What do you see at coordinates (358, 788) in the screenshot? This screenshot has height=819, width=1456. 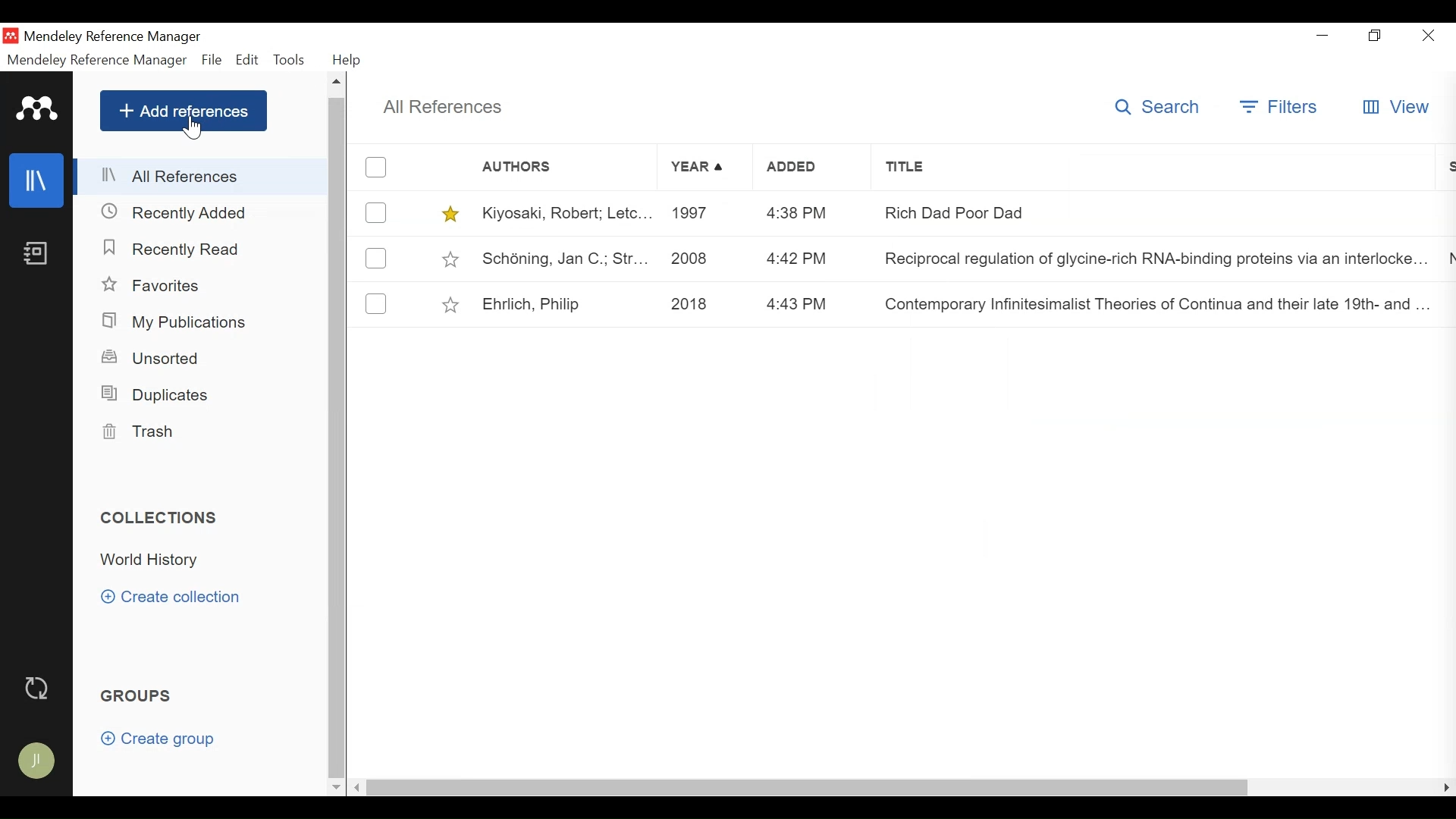 I see `Scroll left` at bounding box center [358, 788].